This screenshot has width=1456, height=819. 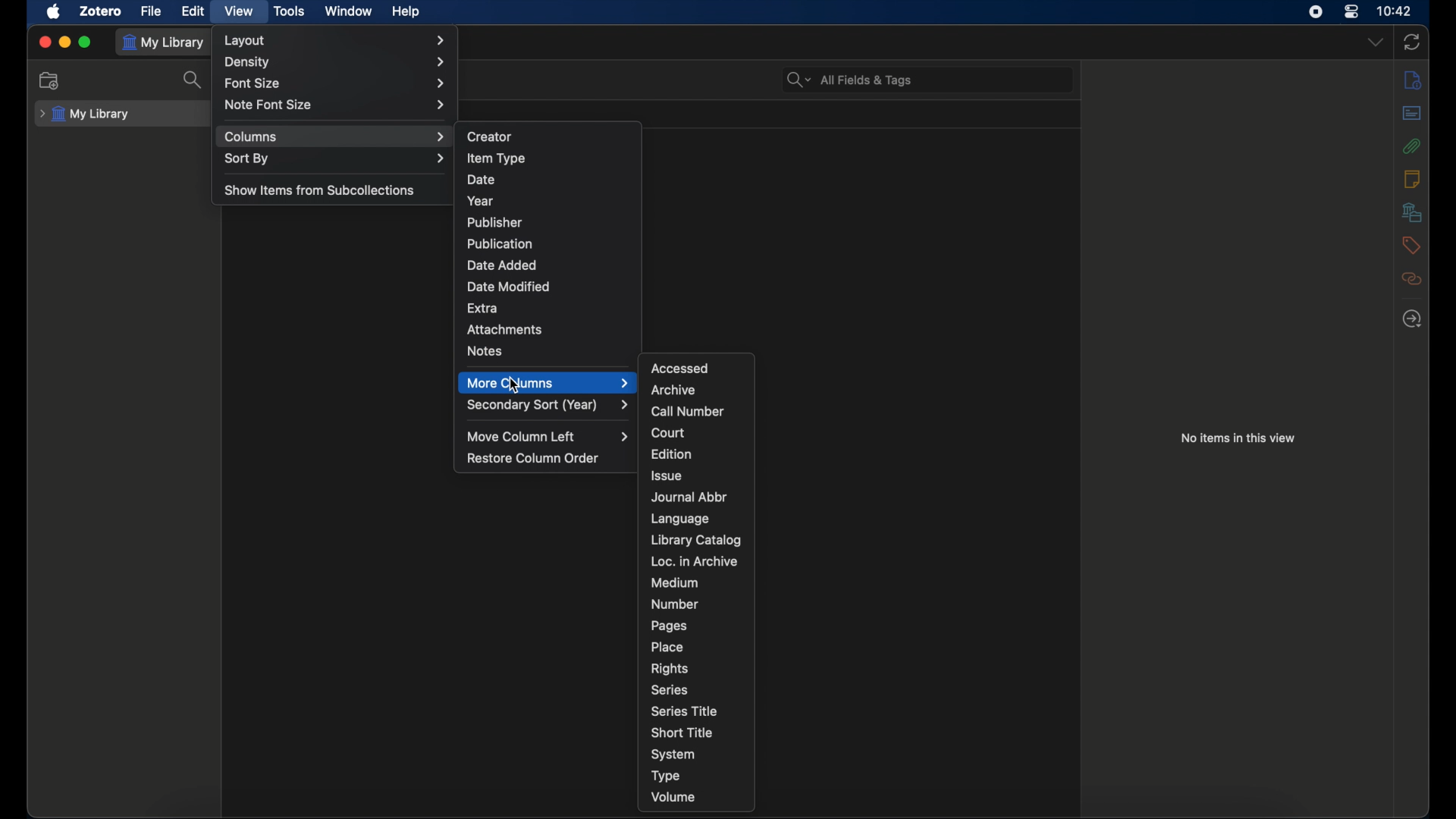 I want to click on type, so click(x=666, y=777).